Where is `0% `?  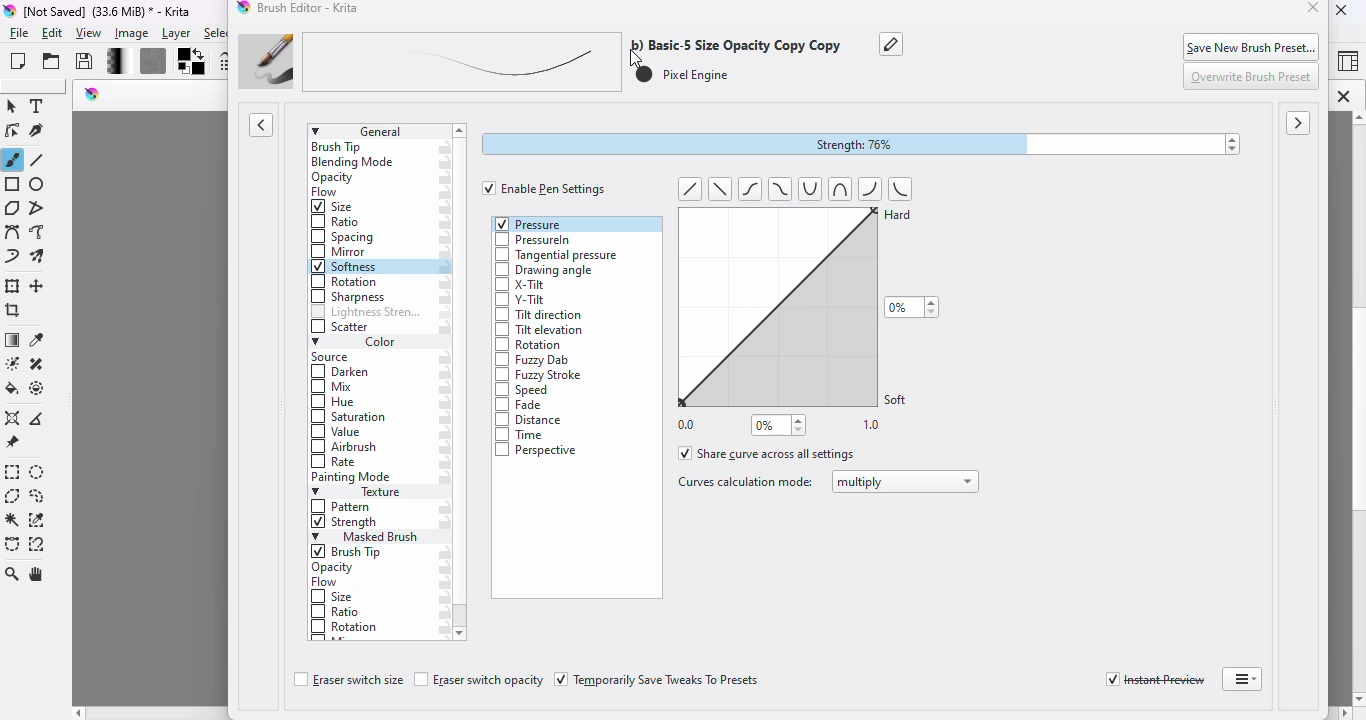 0%  is located at coordinates (912, 307).